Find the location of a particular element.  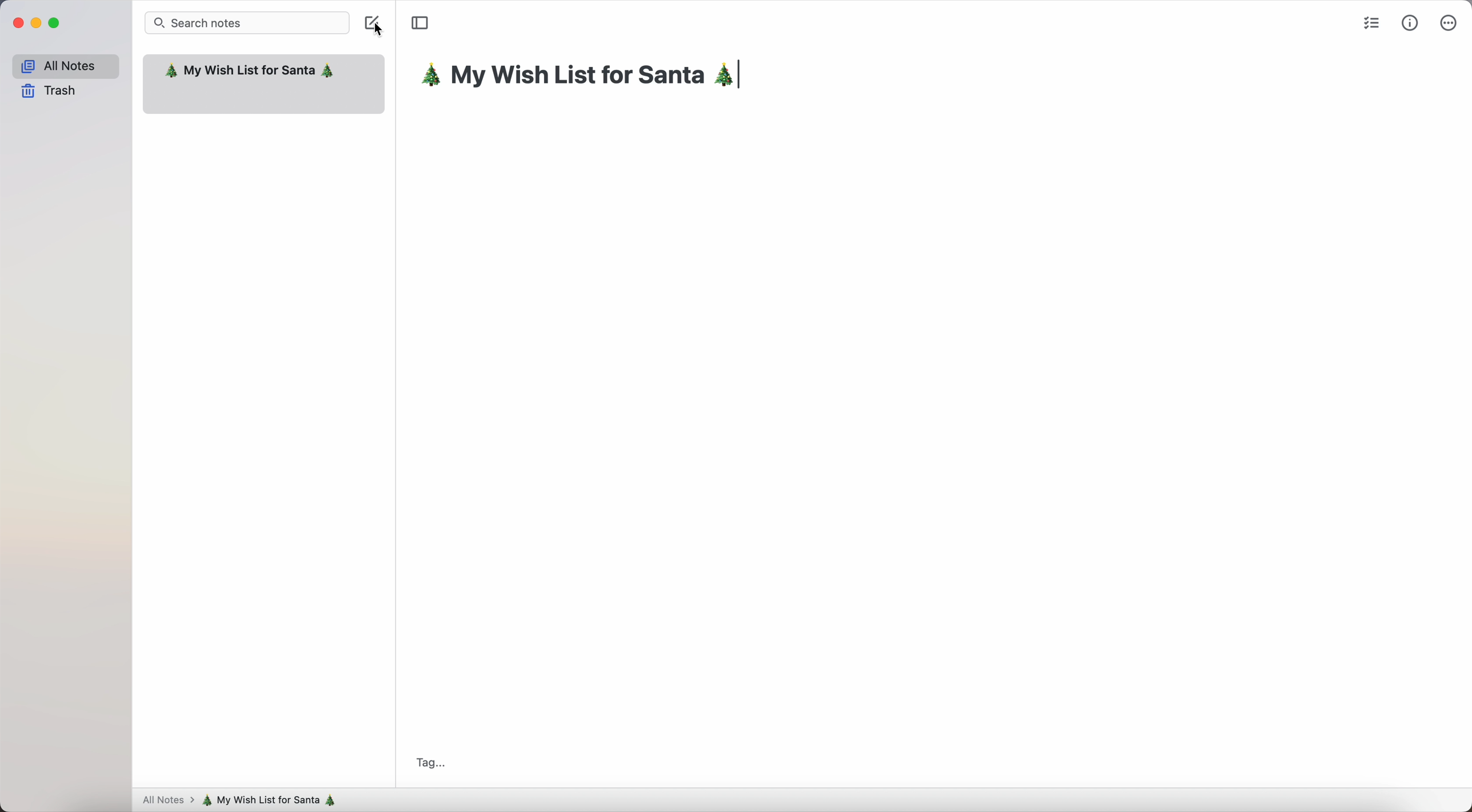

close Simplenote is located at coordinates (16, 23).